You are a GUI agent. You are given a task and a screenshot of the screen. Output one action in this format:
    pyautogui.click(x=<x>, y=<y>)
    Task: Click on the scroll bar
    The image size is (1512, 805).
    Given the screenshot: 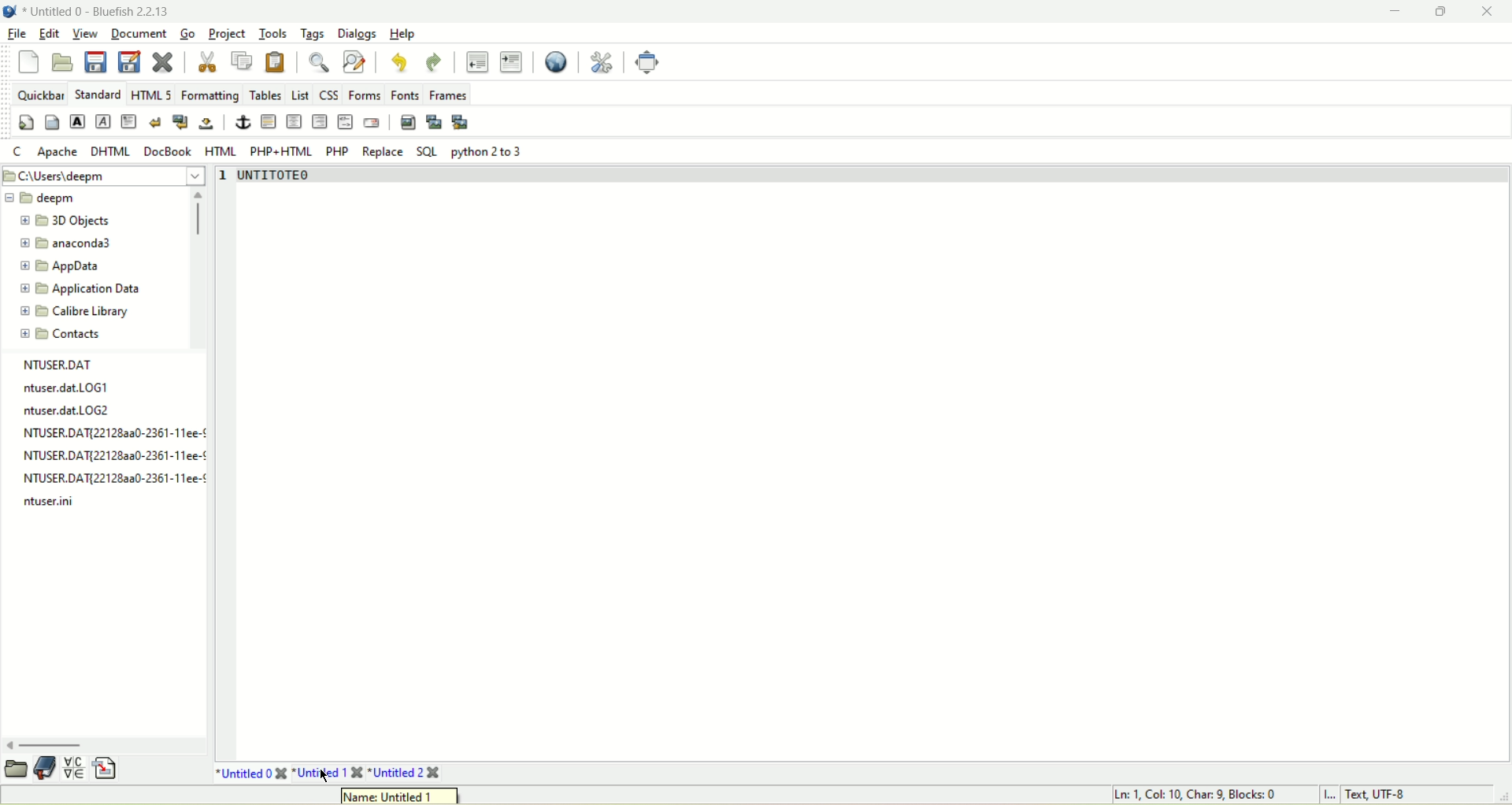 What is the action you would take?
    pyautogui.click(x=72, y=744)
    